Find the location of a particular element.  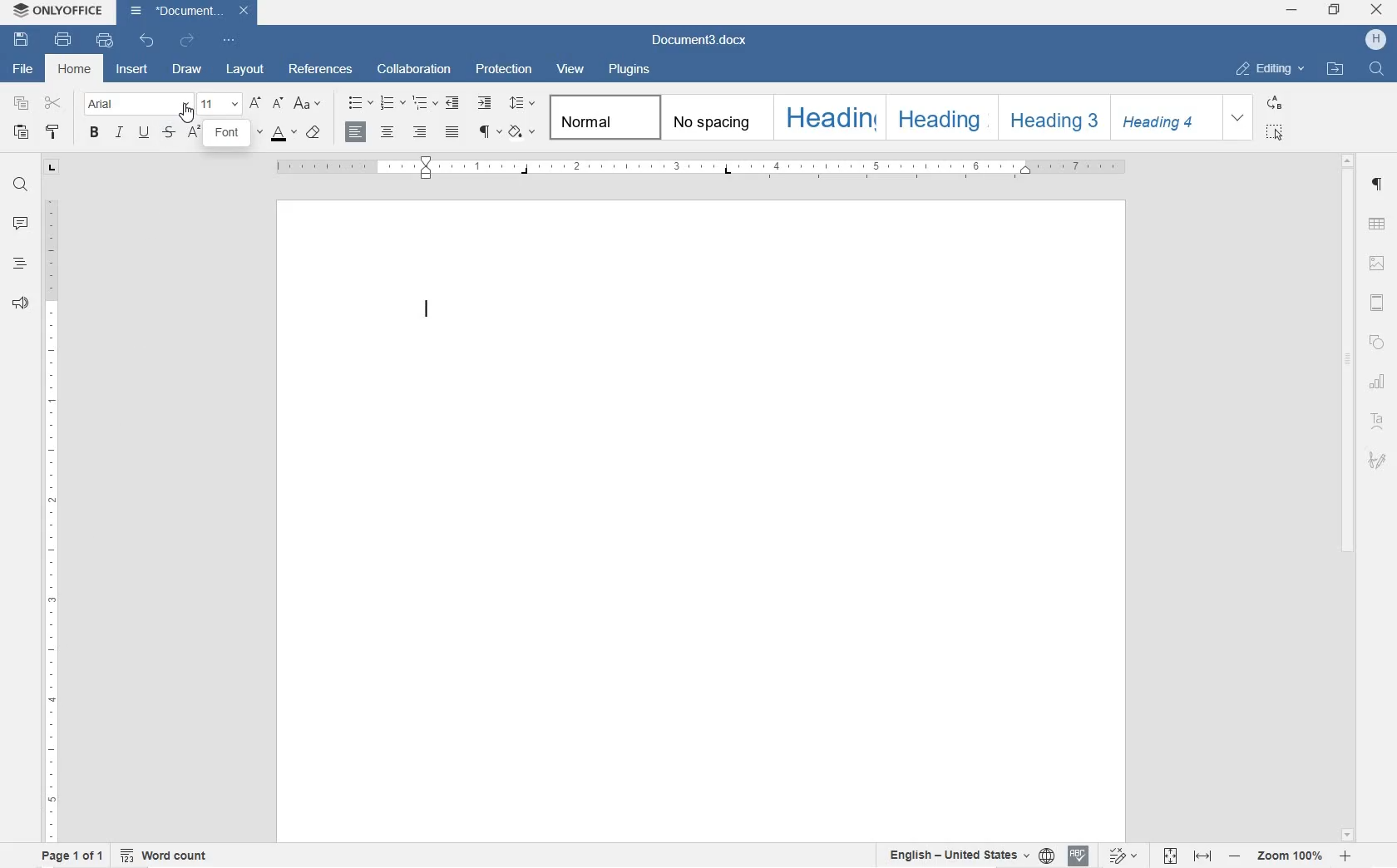

SCROLLBAR is located at coordinates (1350, 496).